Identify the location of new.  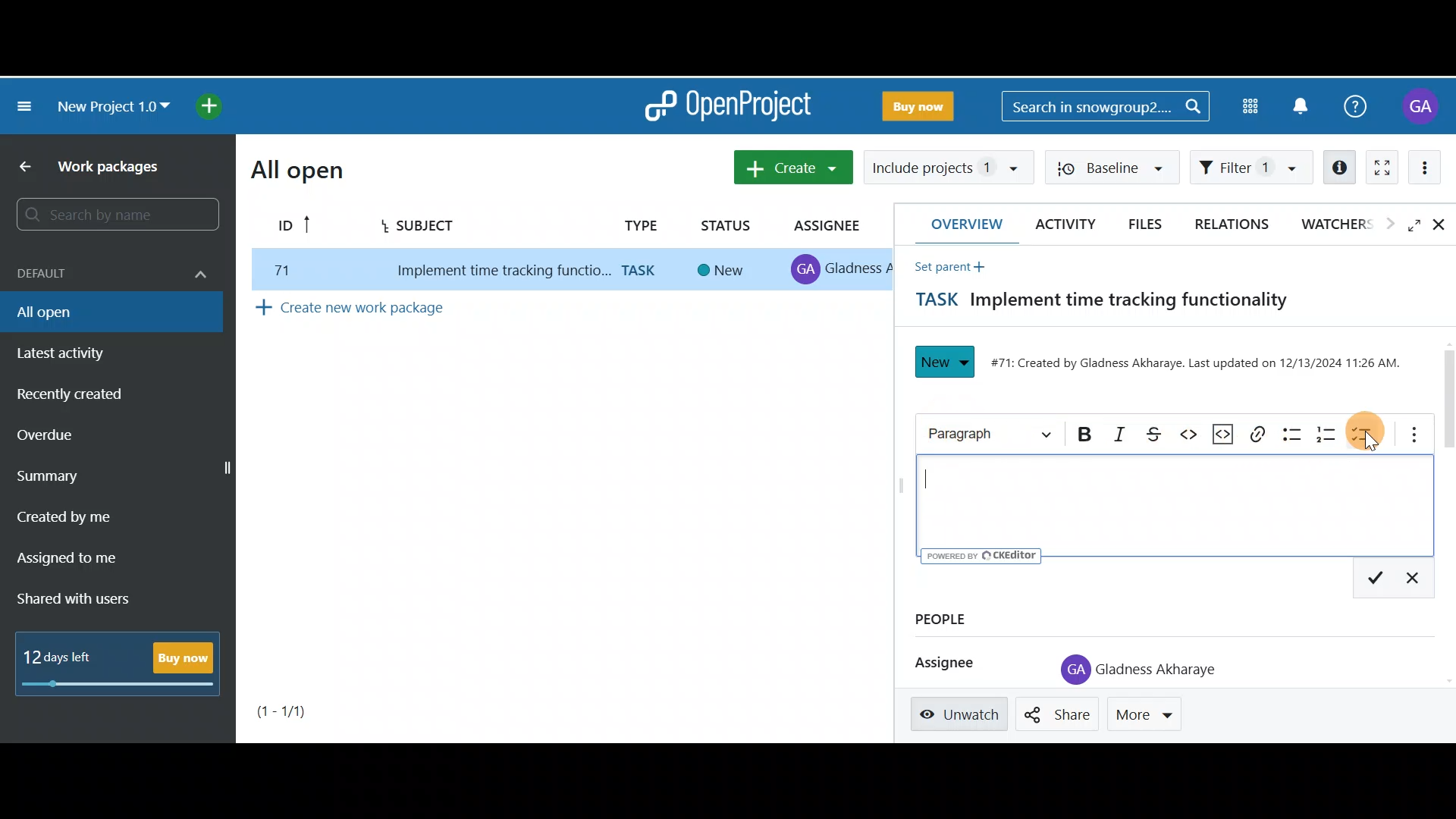
(723, 271).